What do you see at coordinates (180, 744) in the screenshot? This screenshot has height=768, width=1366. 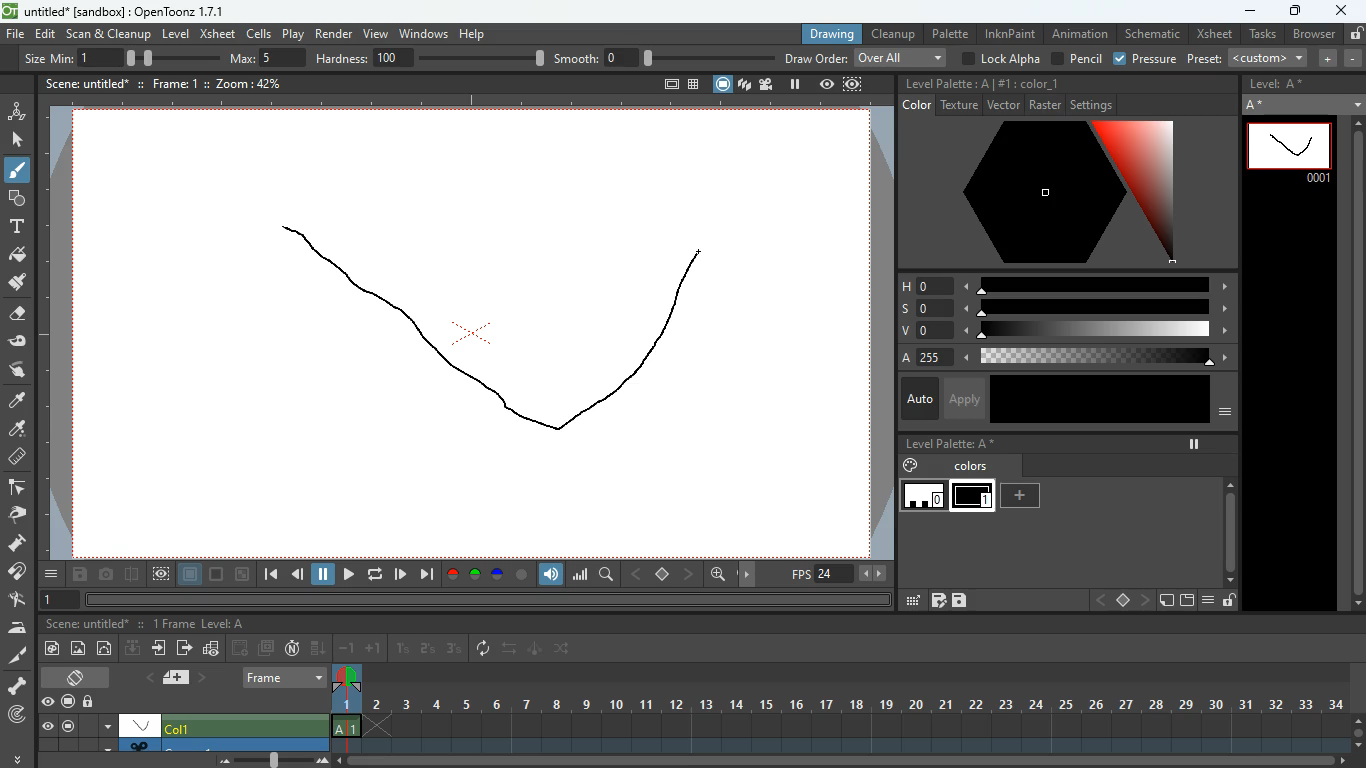 I see `Column` at bounding box center [180, 744].